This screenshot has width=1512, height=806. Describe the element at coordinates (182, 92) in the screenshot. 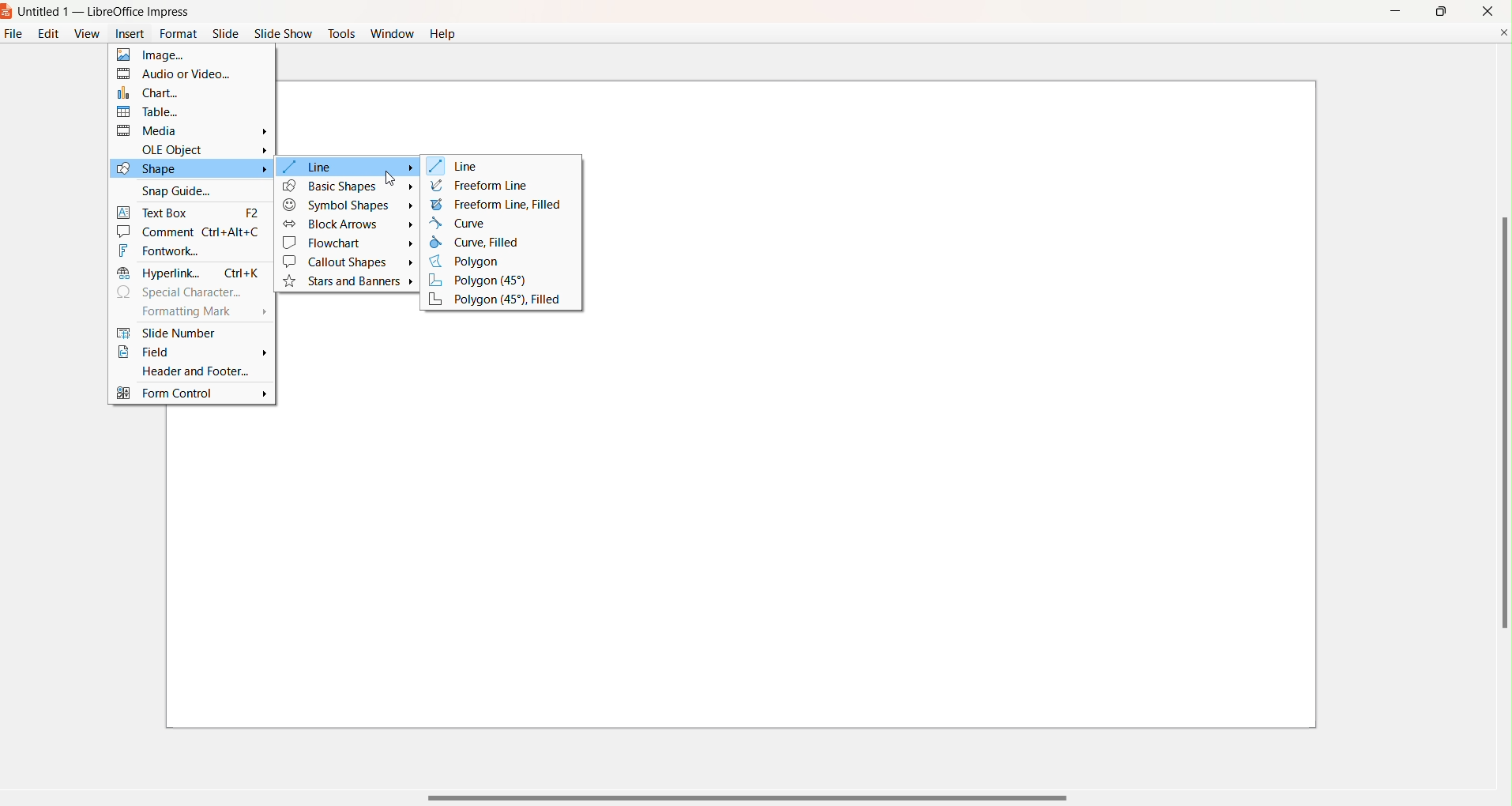

I see `Chart` at that location.